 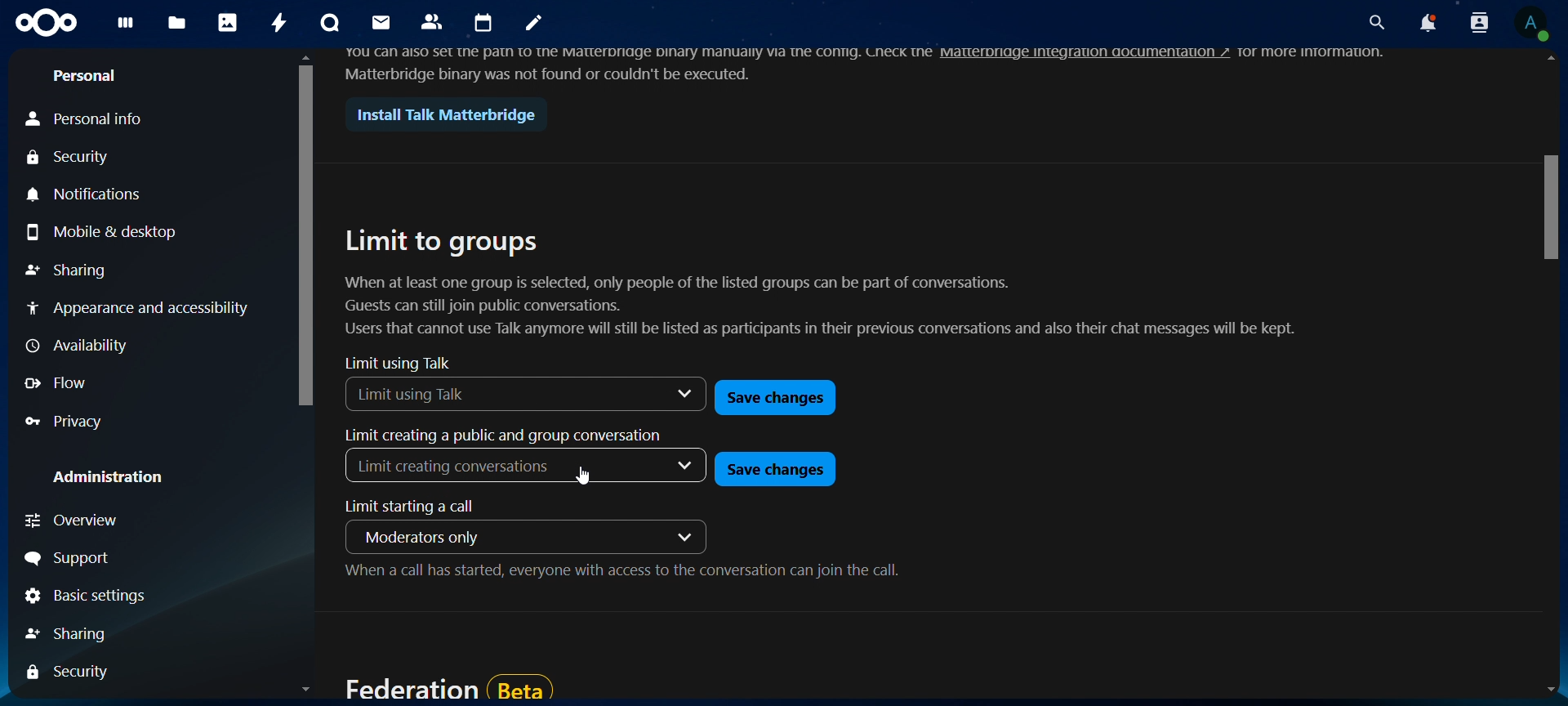 What do you see at coordinates (106, 235) in the screenshot?
I see `Mobile & Desktop` at bounding box center [106, 235].